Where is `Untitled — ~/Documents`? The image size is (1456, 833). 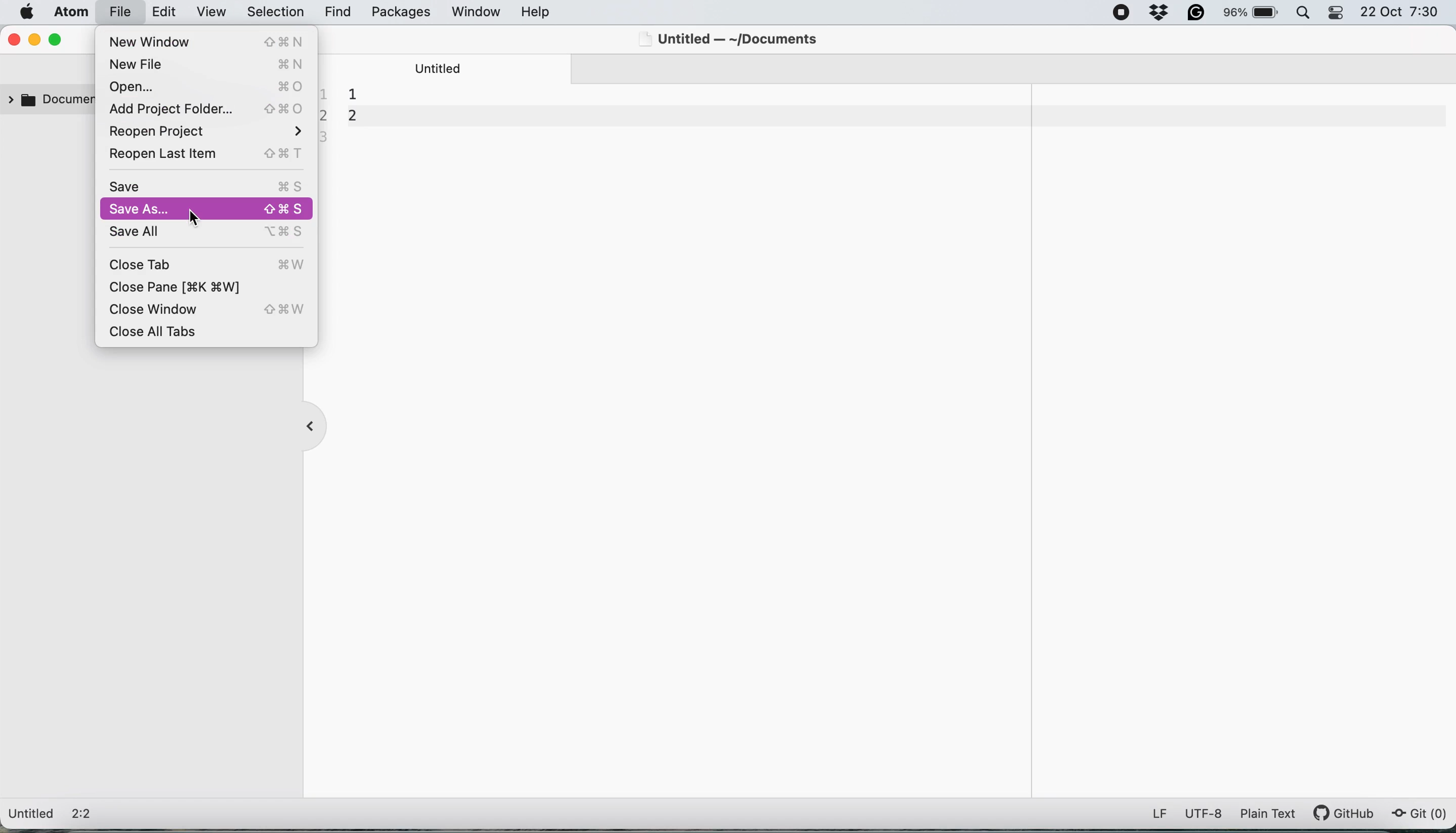
Untitled — ~/Documents is located at coordinates (734, 37).